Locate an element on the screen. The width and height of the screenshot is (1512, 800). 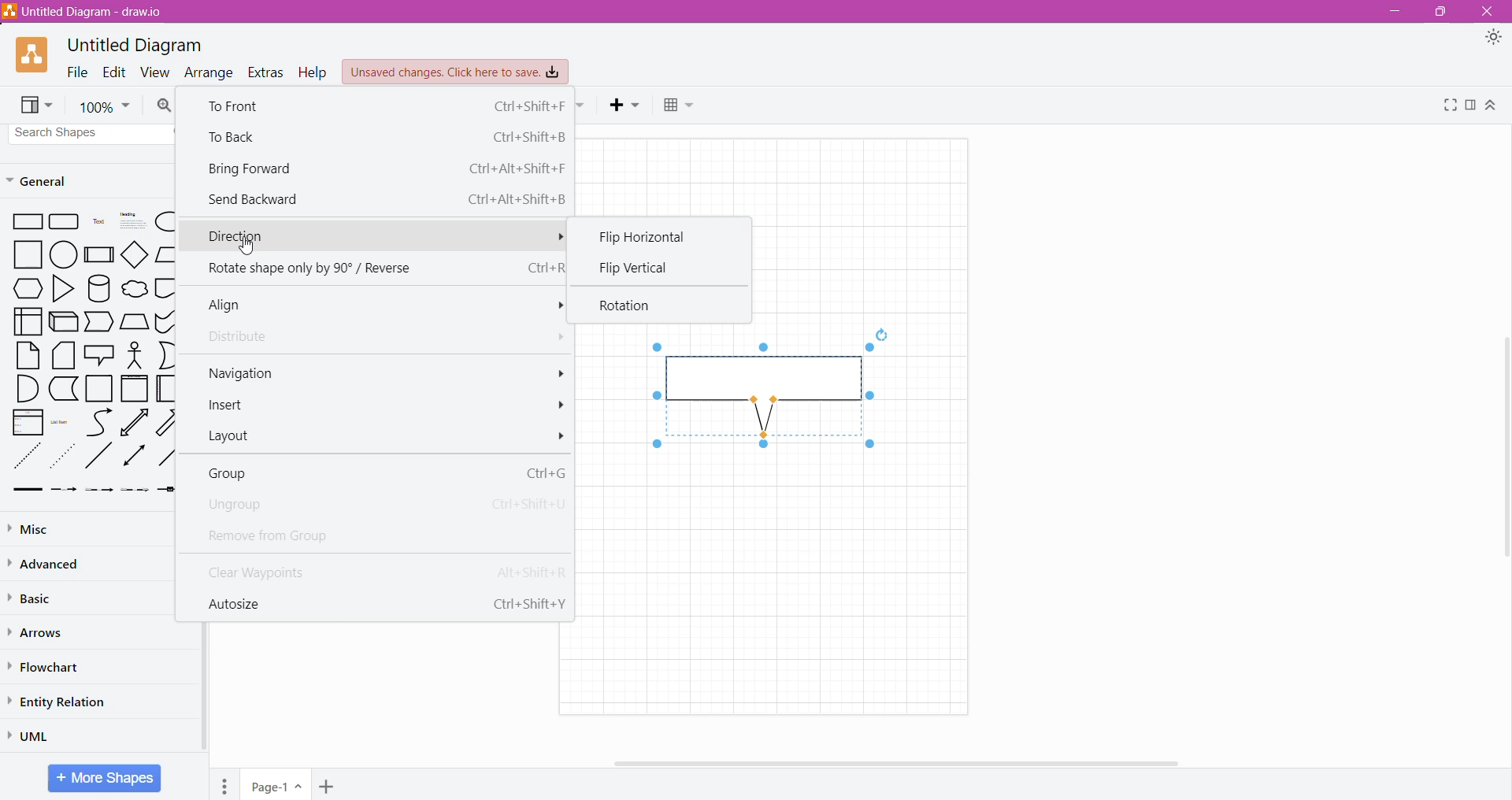
Folded Paper is located at coordinates (165, 388).